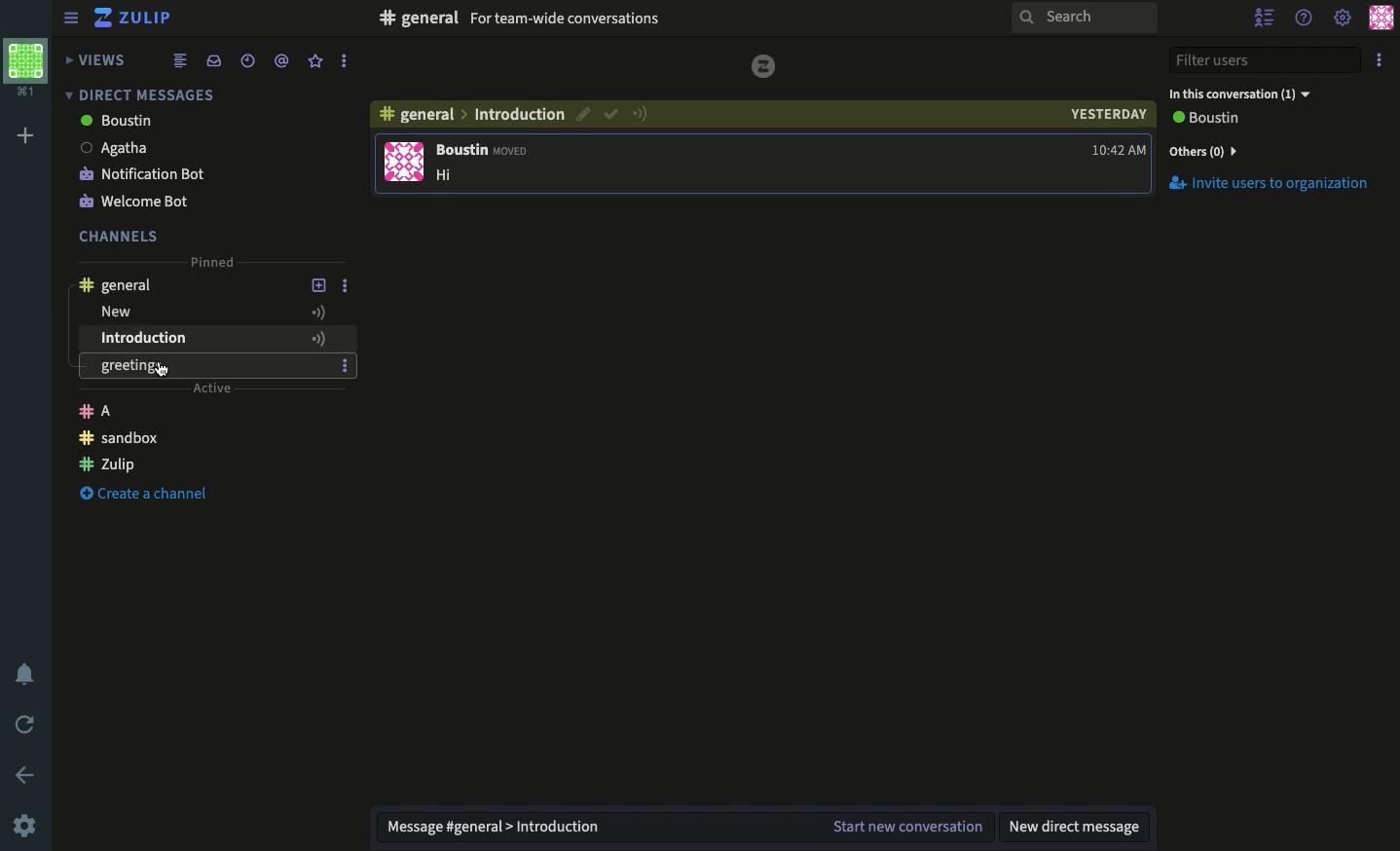 Image resolution: width=1400 pixels, height=851 pixels. I want to click on Channel A, so click(205, 414).